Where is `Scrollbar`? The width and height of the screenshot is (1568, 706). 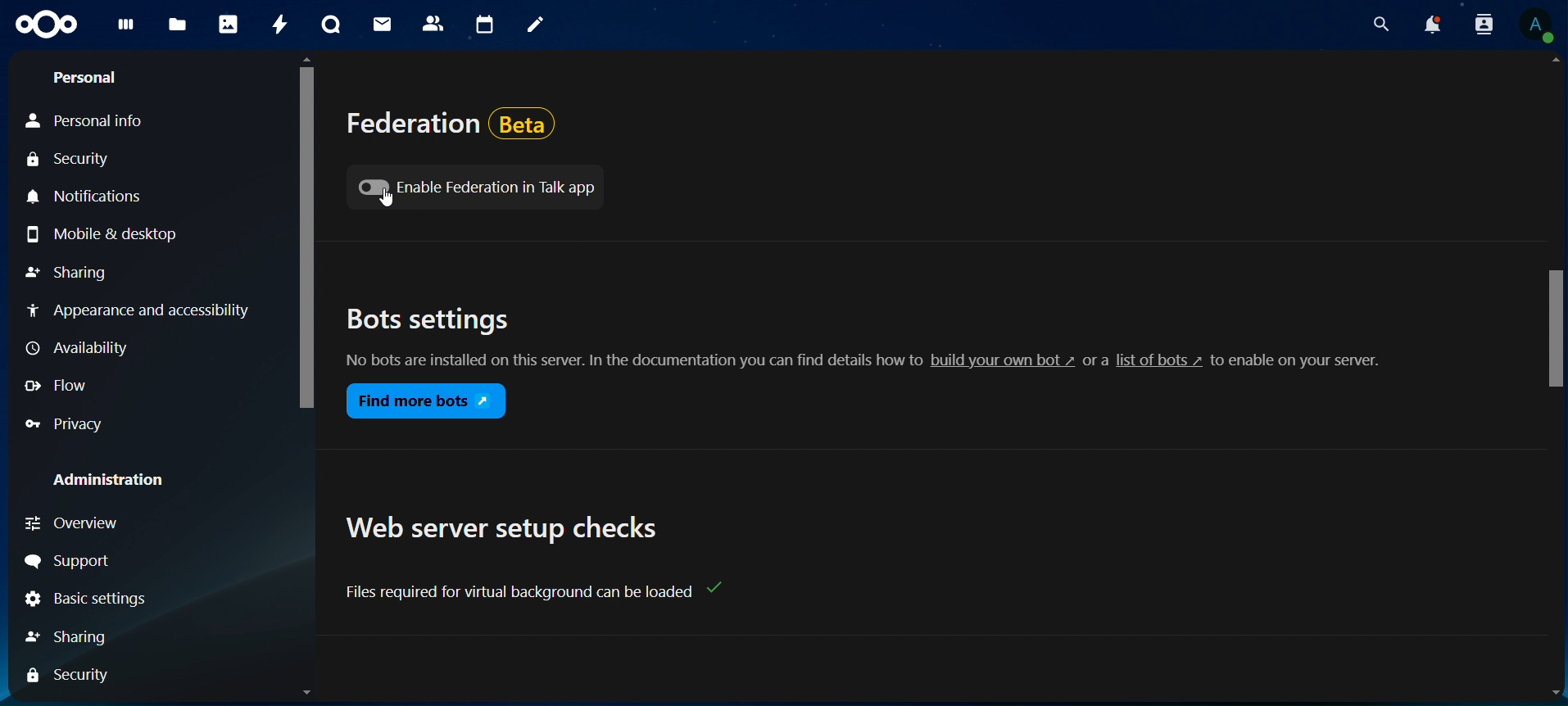 Scrollbar is located at coordinates (1552, 376).